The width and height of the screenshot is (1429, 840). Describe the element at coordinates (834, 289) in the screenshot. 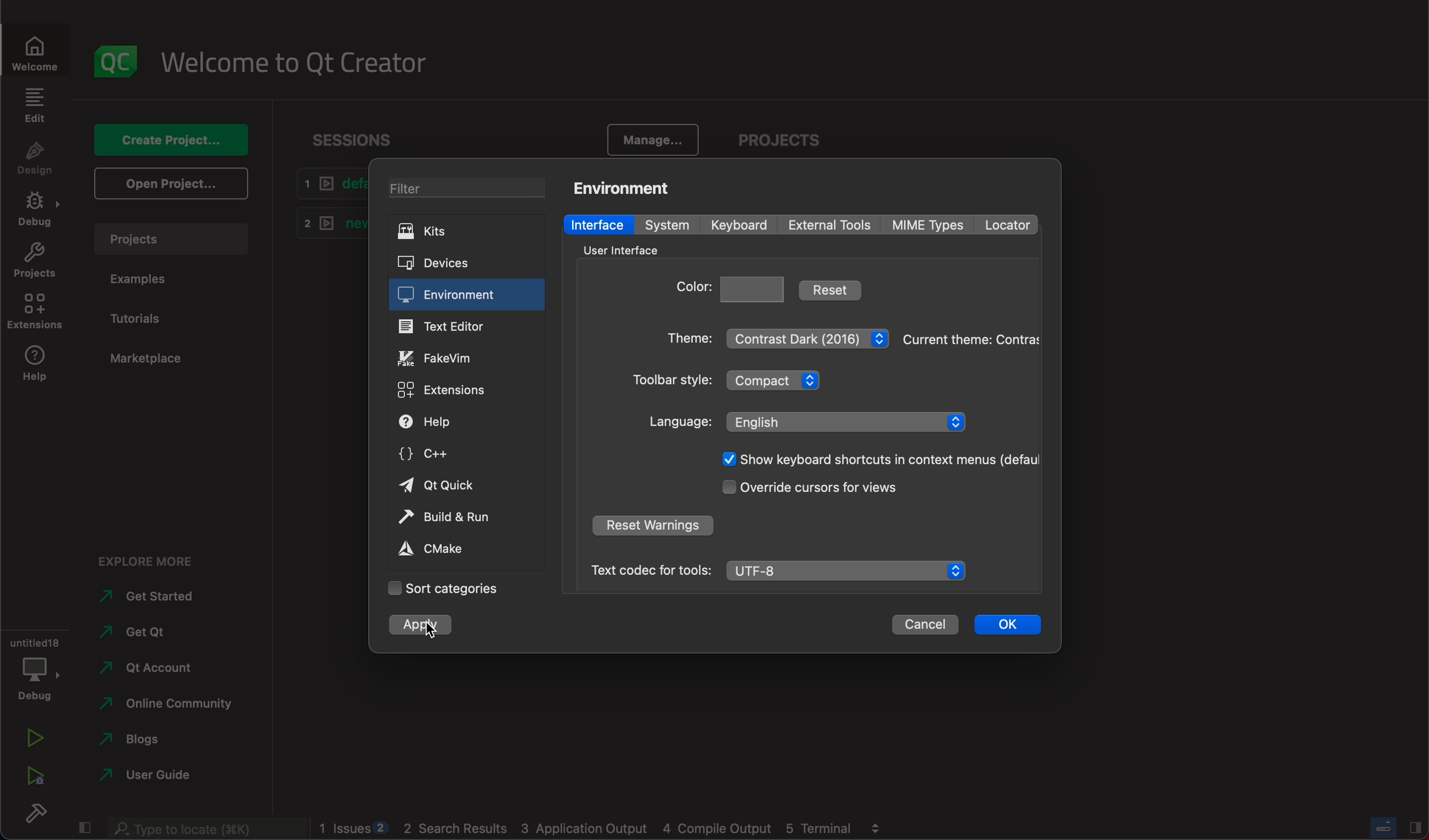

I see `reset` at that location.